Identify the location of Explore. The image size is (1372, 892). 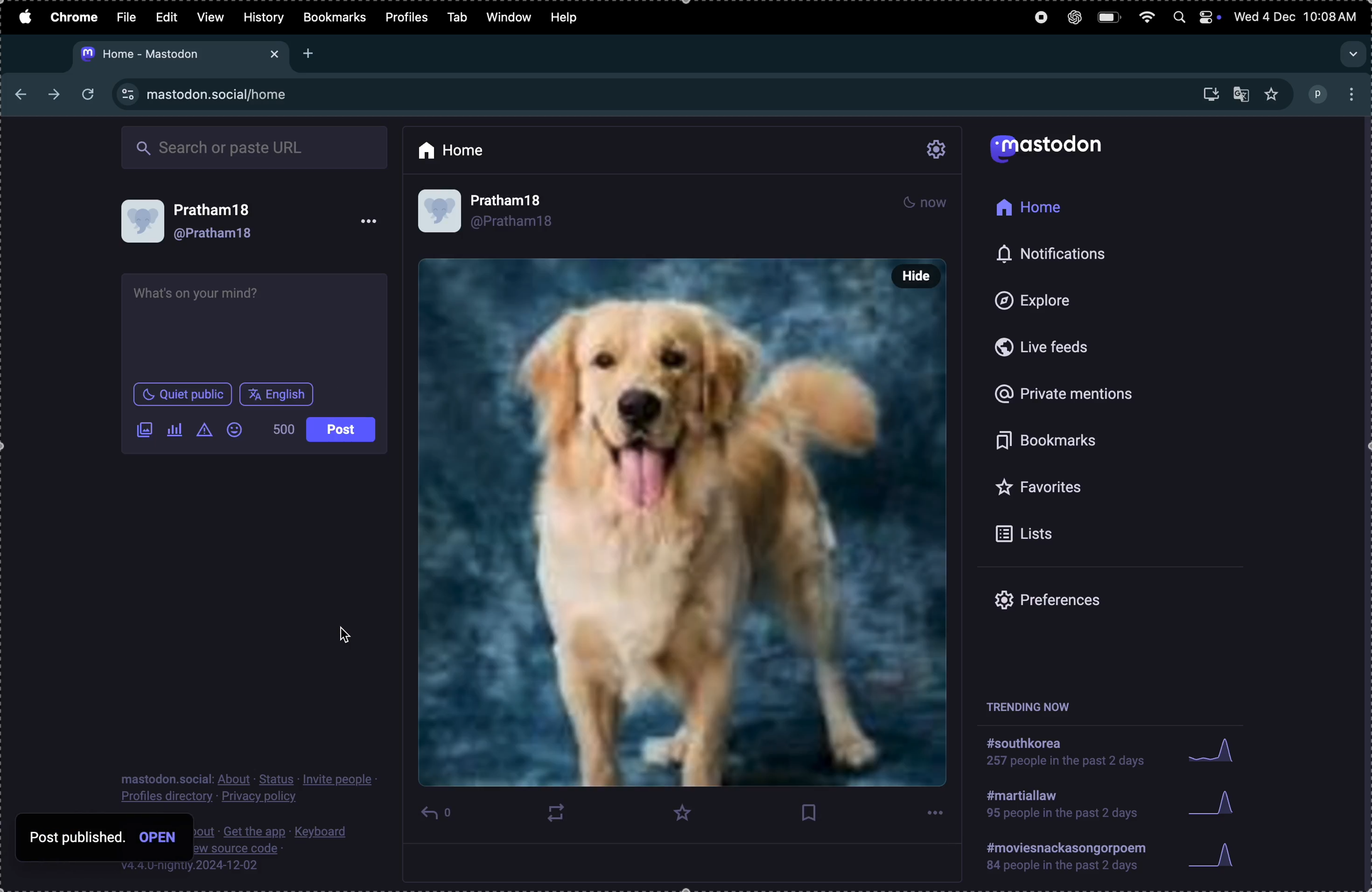
(1046, 296).